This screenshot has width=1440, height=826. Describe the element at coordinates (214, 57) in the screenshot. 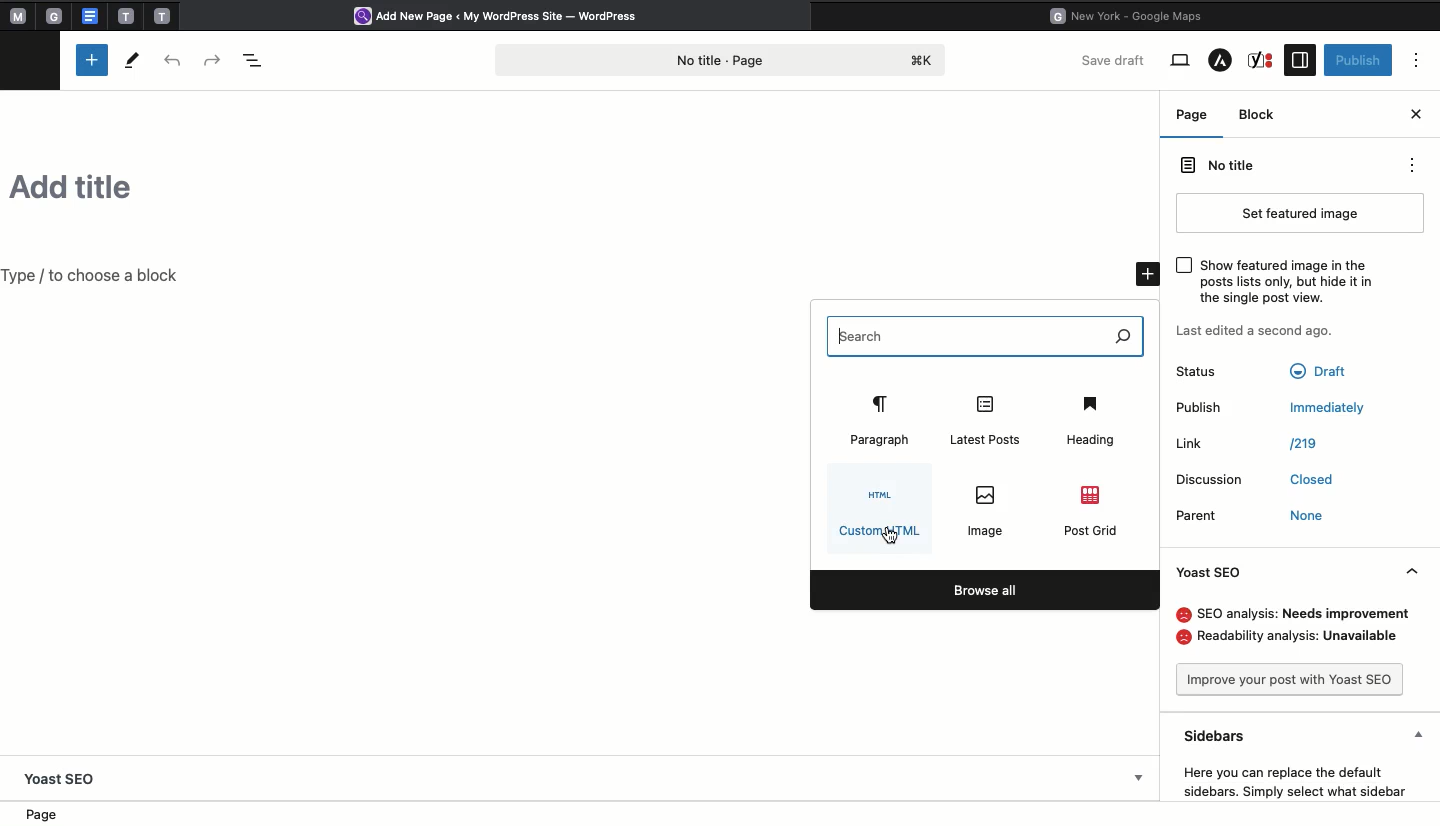

I see `Redo` at that location.